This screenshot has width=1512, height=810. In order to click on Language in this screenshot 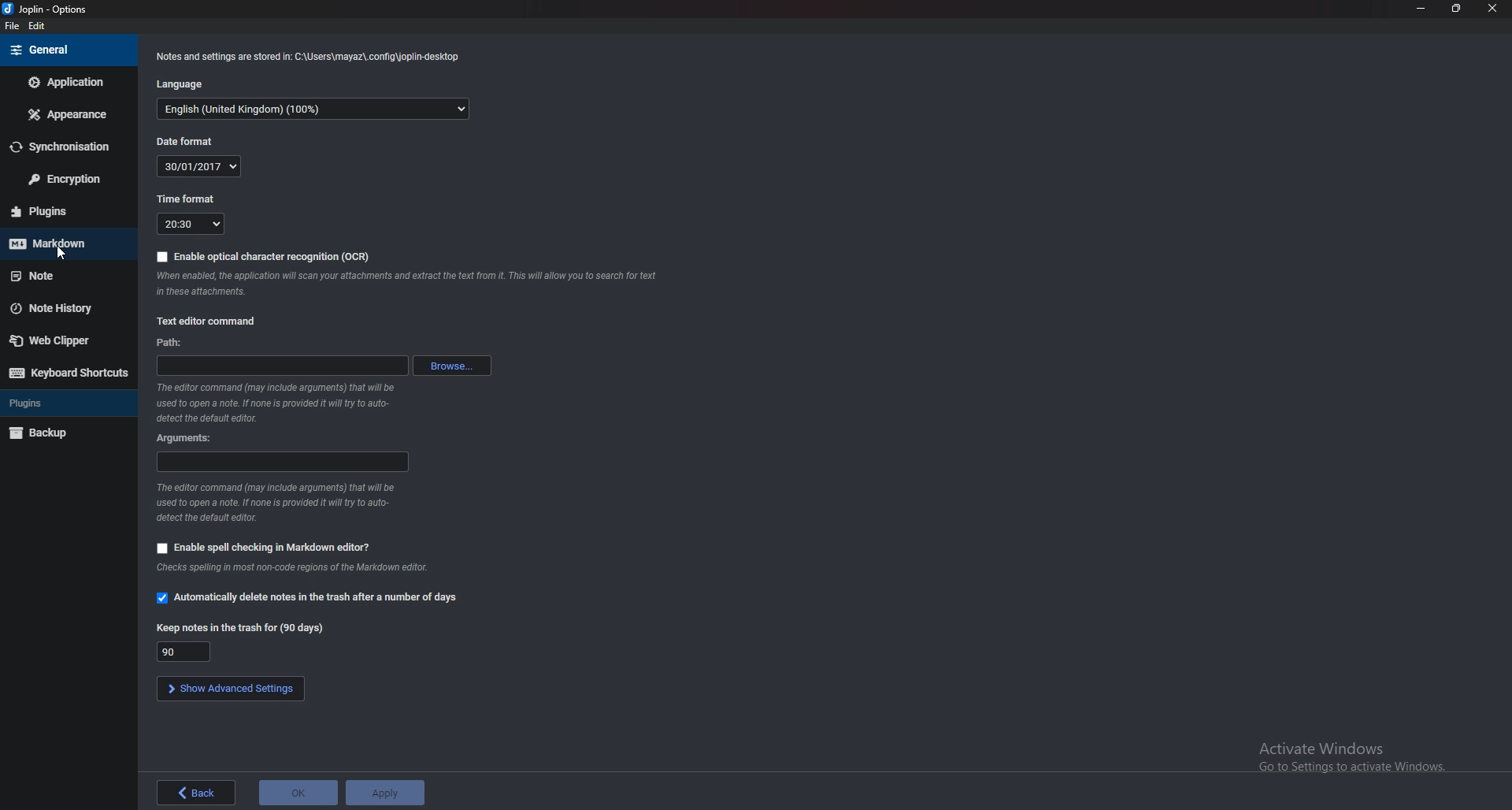, I will do `click(185, 85)`.